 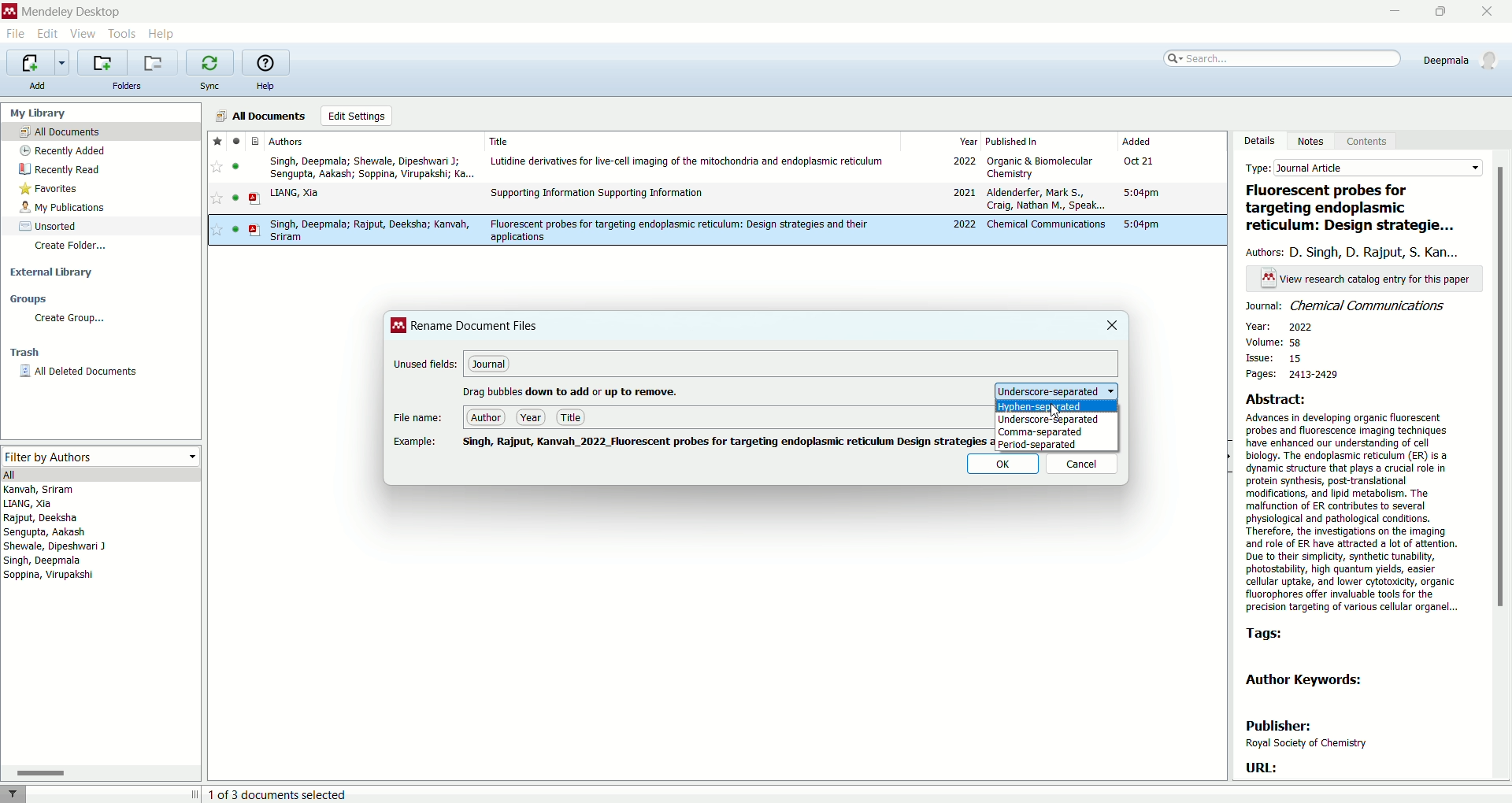 I want to click on import, so click(x=38, y=62).